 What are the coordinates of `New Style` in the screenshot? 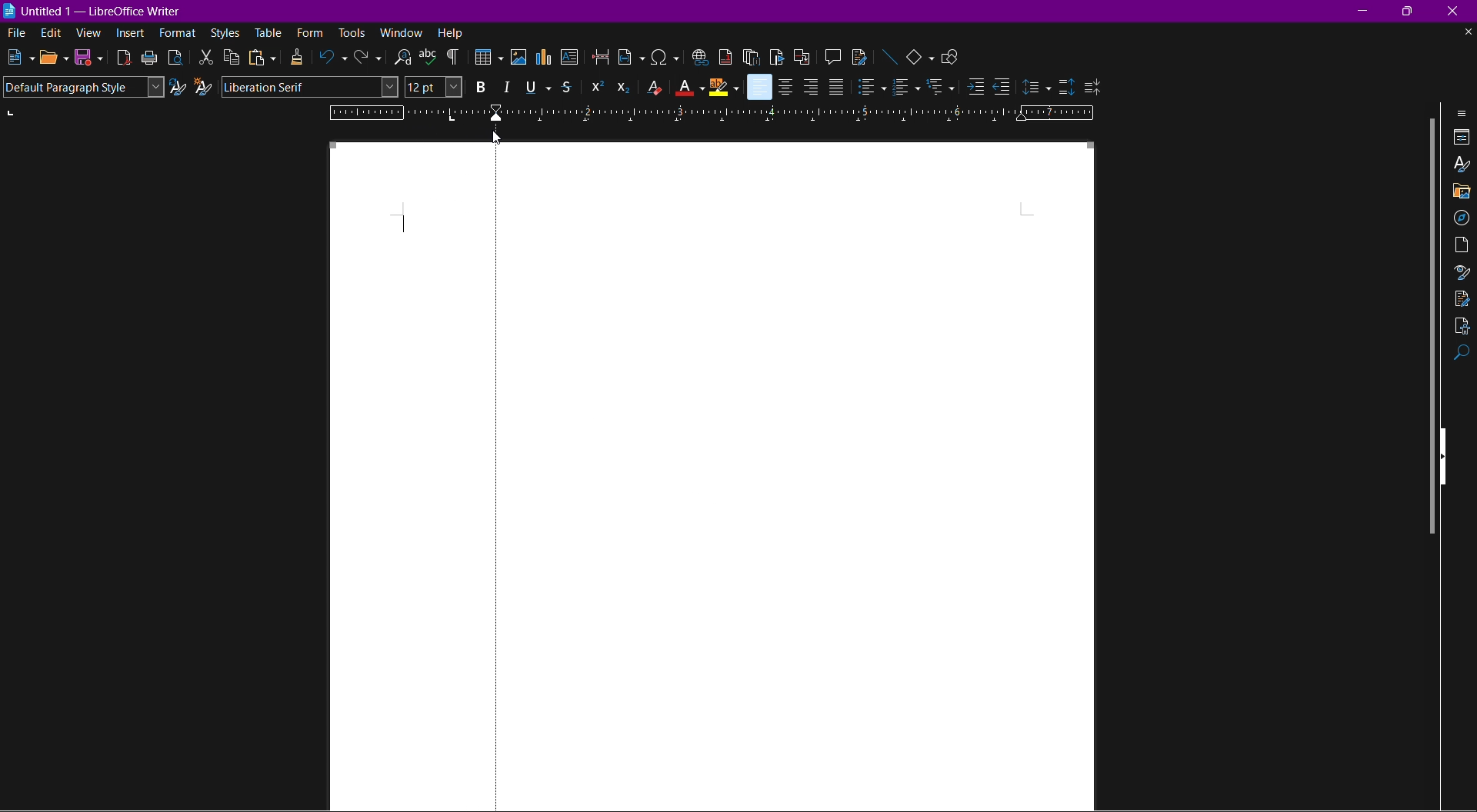 It's located at (205, 87).